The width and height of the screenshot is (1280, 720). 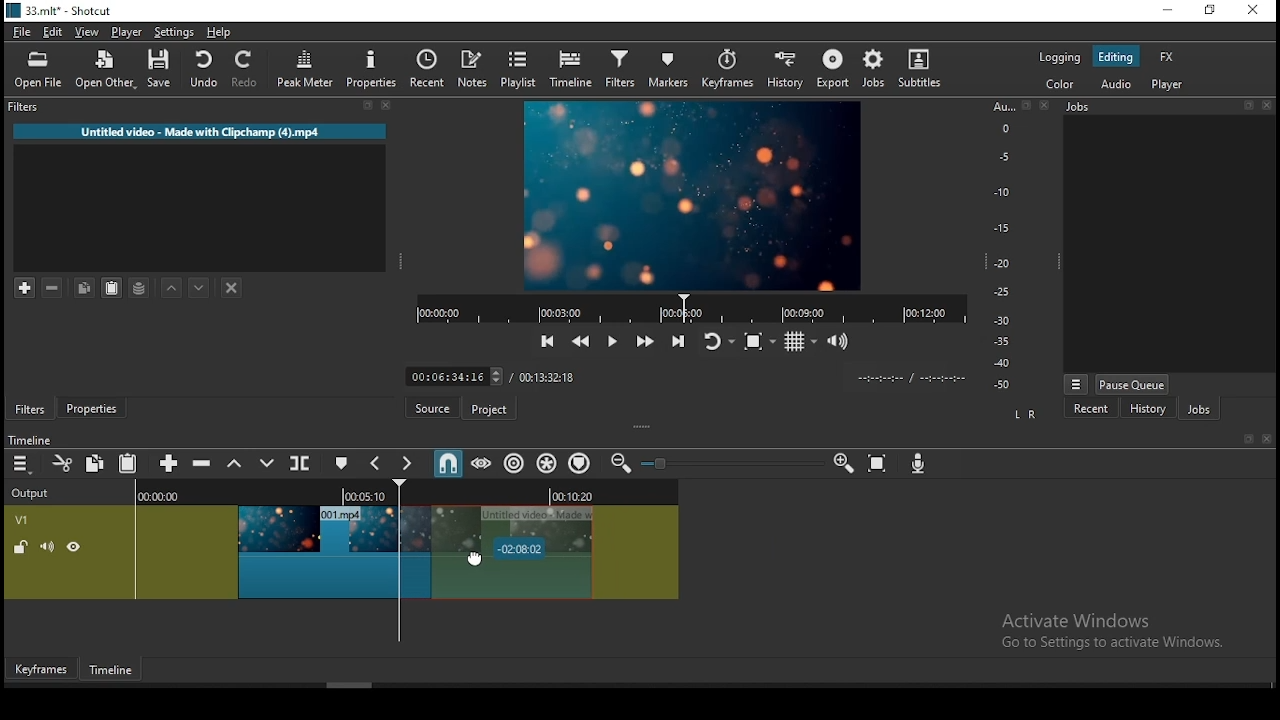 I want to click on show video volume control, so click(x=839, y=335).